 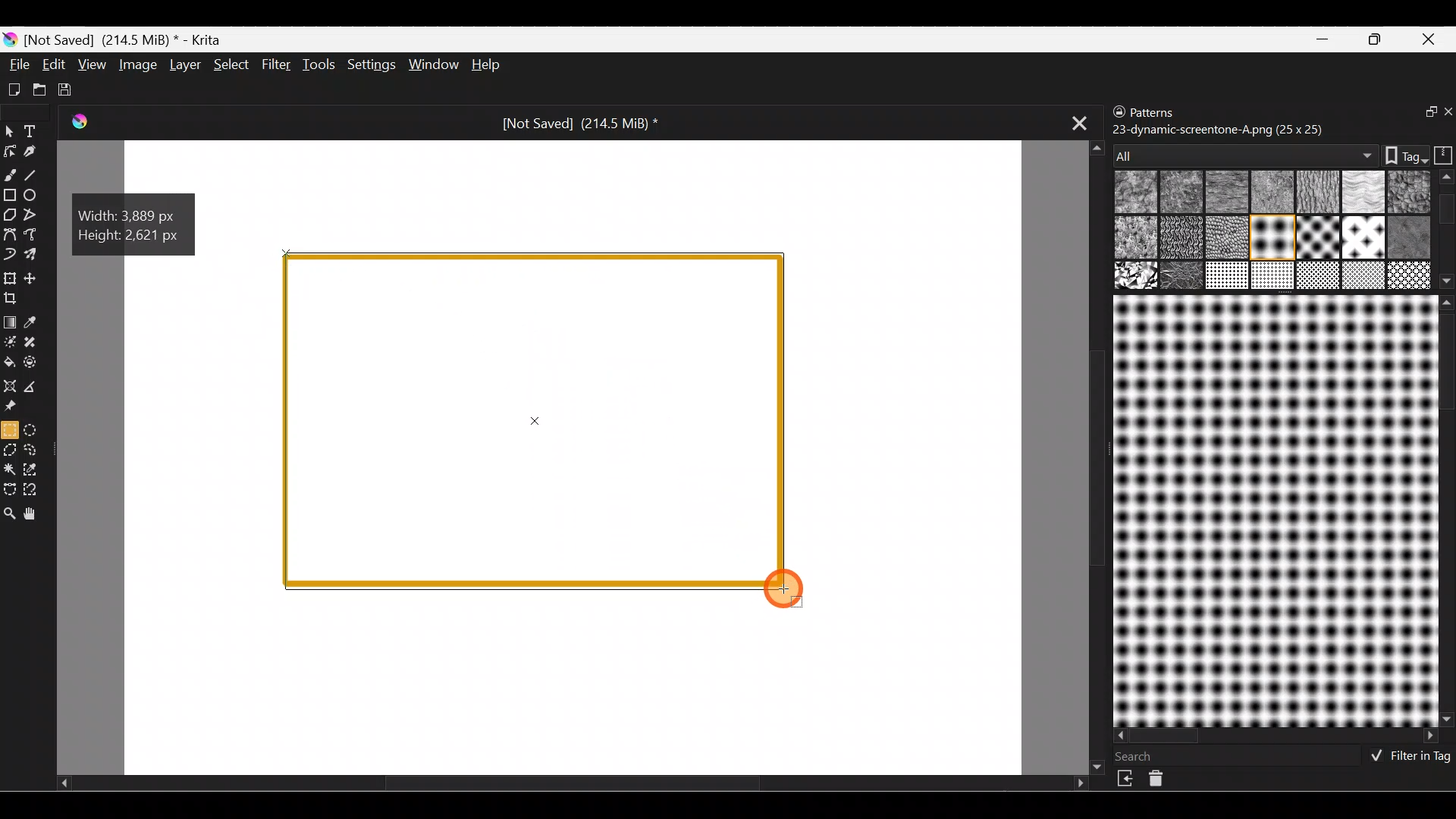 What do you see at coordinates (1362, 239) in the screenshot?
I see `12 drawed_vertical.png` at bounding box center [1362, 239].